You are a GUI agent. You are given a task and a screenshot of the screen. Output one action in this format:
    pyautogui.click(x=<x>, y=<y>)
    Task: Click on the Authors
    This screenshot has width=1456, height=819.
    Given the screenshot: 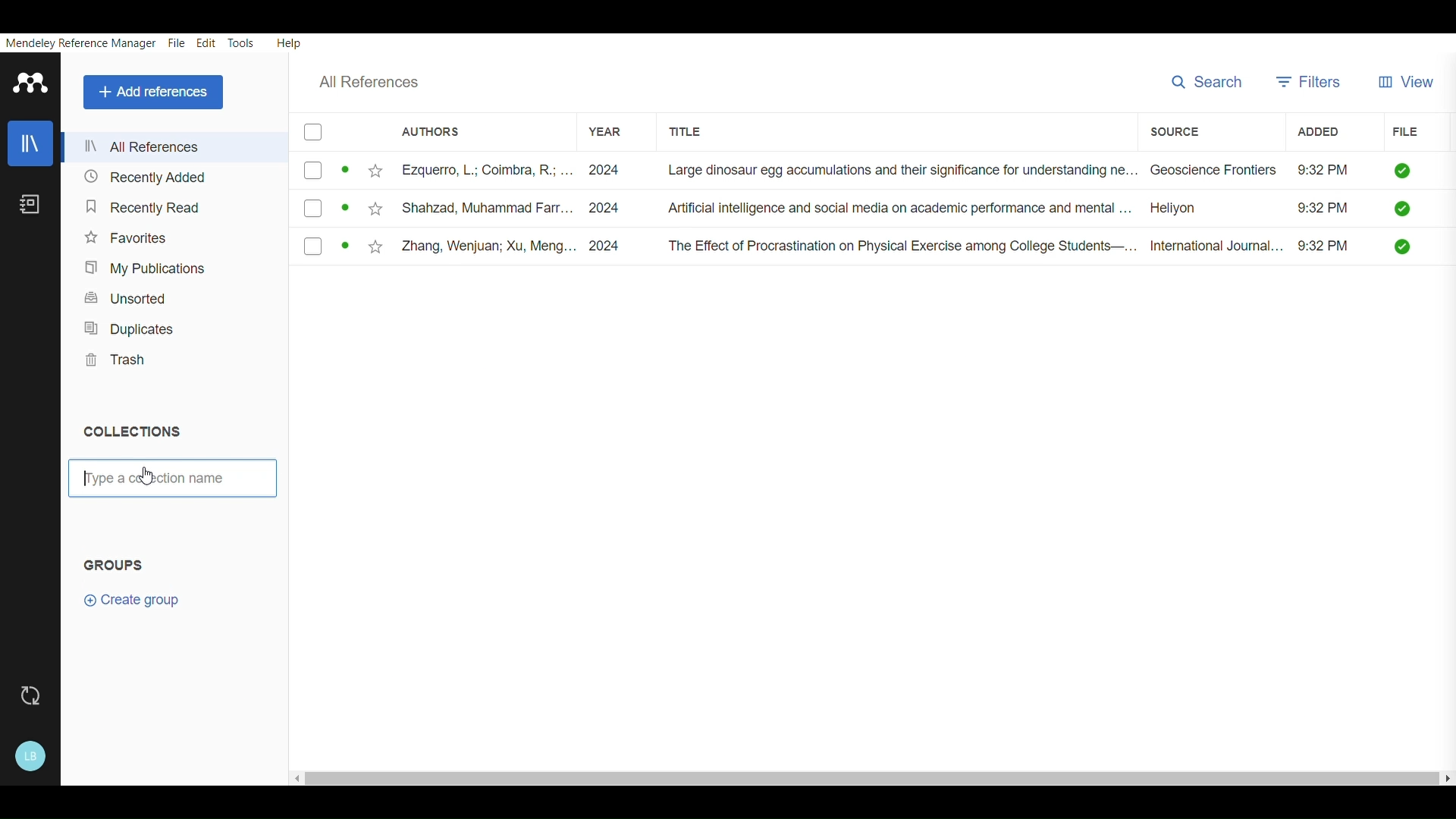 What is the action you would take?
    pyautogui.click(x=431, y=130)
    